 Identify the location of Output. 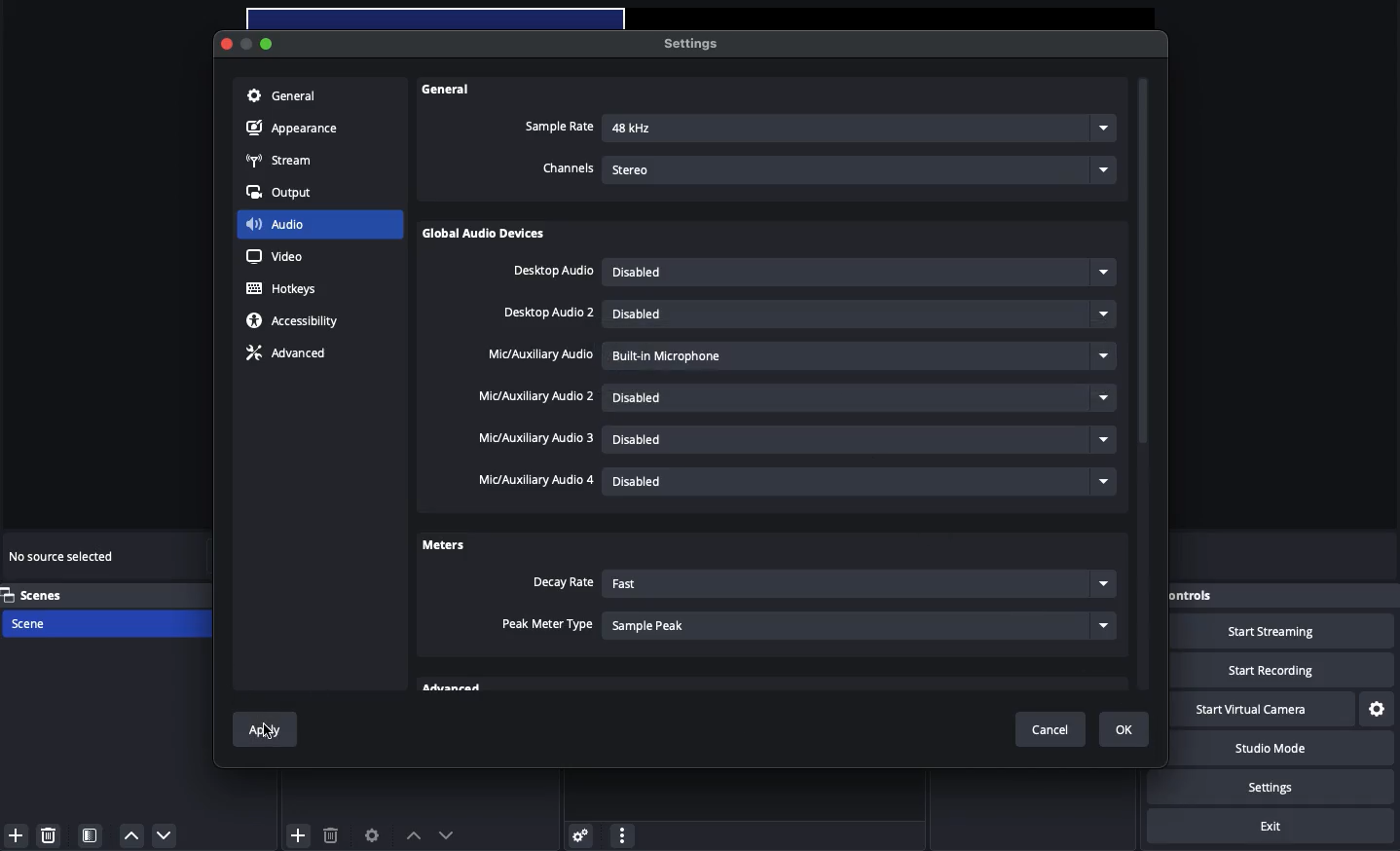
(285, 193).